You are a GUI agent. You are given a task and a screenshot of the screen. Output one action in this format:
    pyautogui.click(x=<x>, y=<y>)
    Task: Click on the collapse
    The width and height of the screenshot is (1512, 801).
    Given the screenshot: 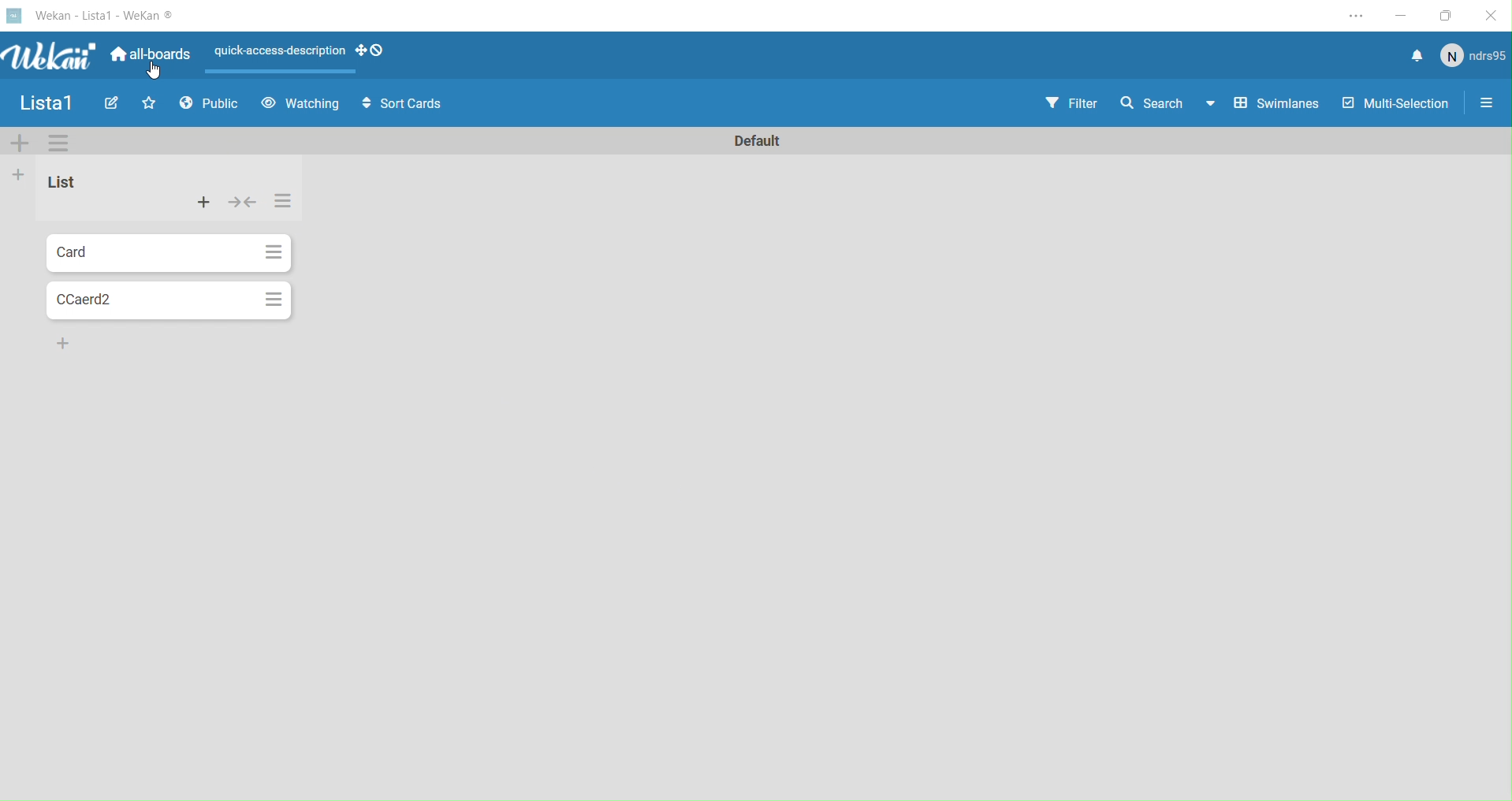 What is the action you would take?
    pyautogui.click(x=246, y=204)
    